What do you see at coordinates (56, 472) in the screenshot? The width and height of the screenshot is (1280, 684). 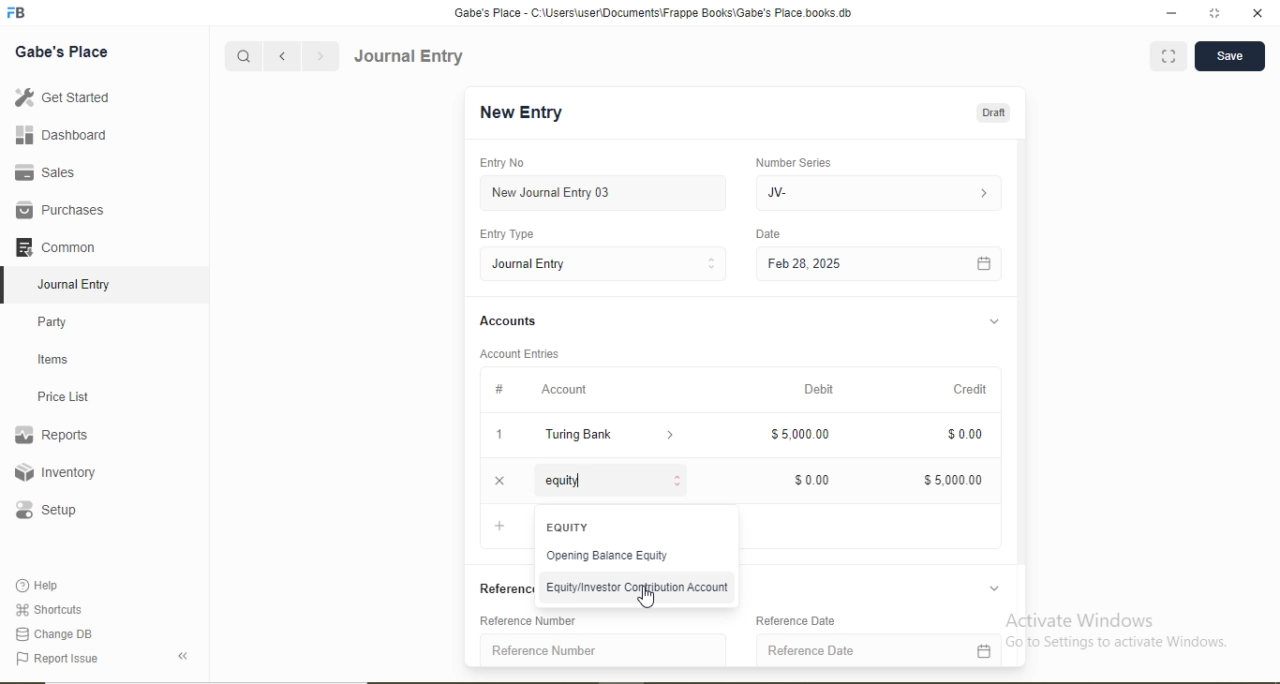 I see `Inventory` at bounding box center [56, 472].